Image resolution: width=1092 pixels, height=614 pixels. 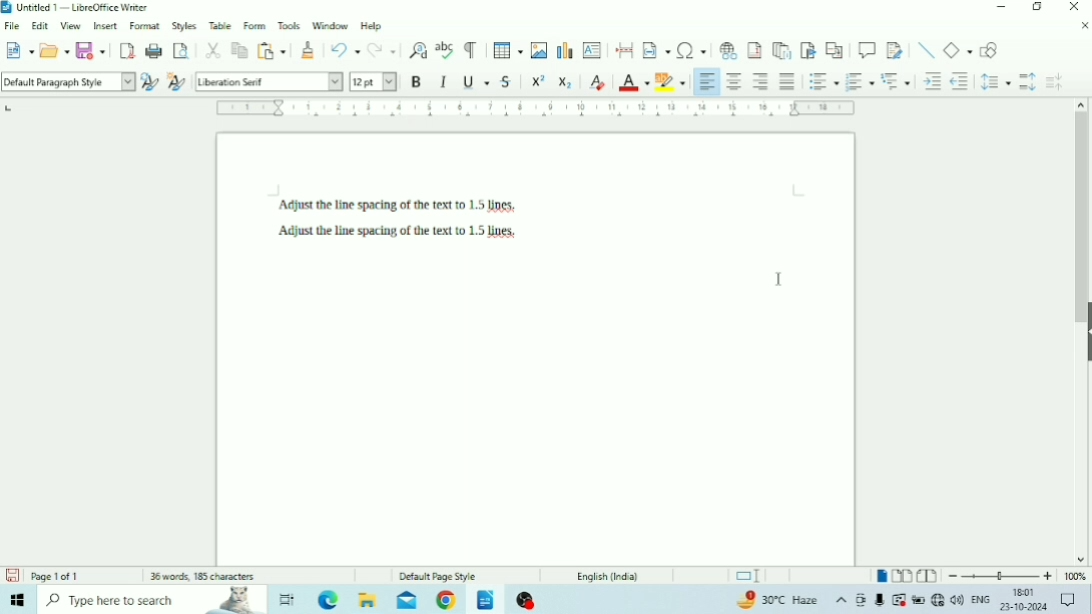 What do you see at coordinates (345, 49) in the screenshot?
I see `Undo` at bounding box center [345, 49].